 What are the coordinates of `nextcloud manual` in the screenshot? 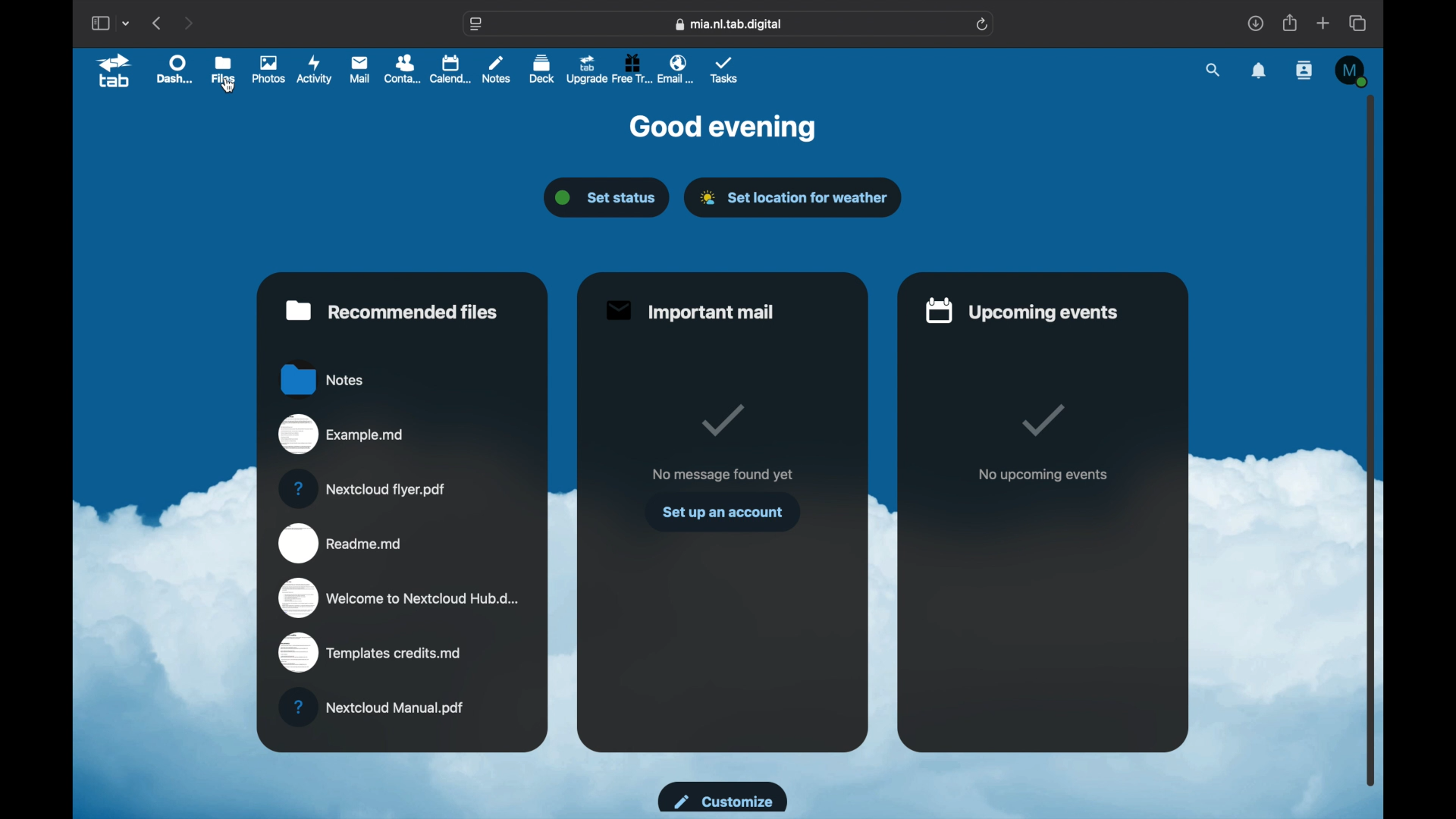 It's located at (372, 706).